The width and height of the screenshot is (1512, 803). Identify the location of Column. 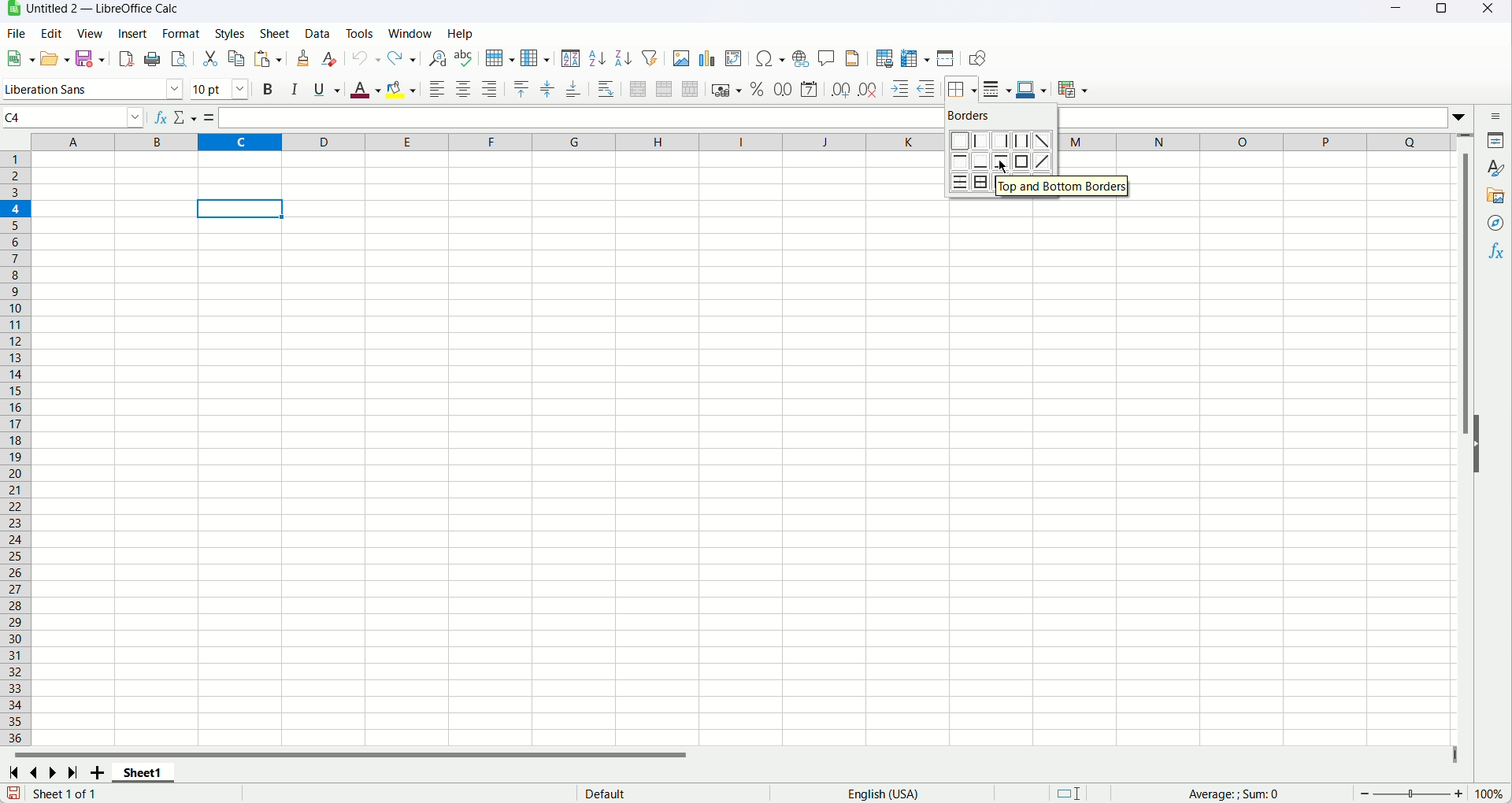
(535, 58).